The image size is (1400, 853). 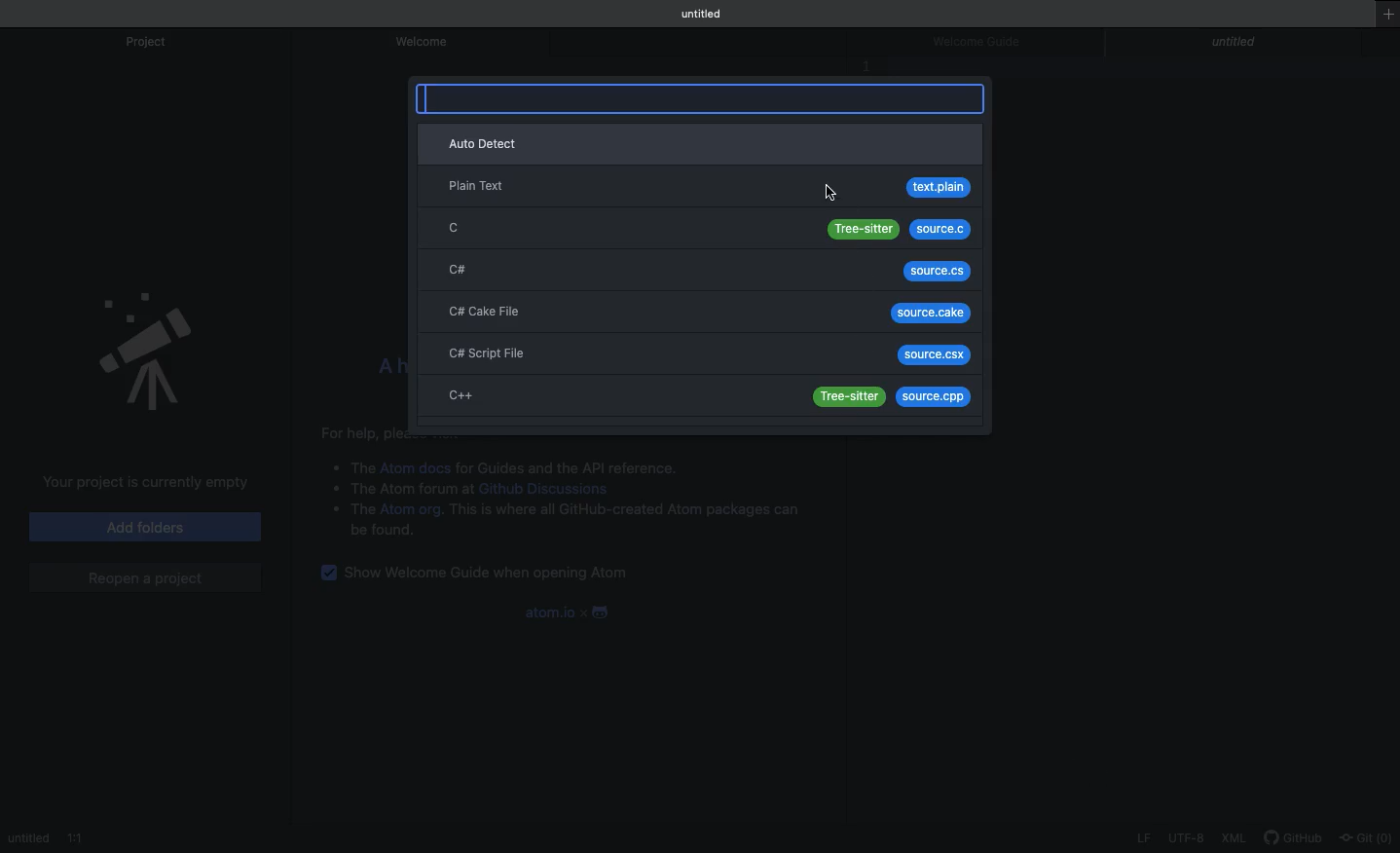 I want to click on Git, so click(x=1364, y=834).